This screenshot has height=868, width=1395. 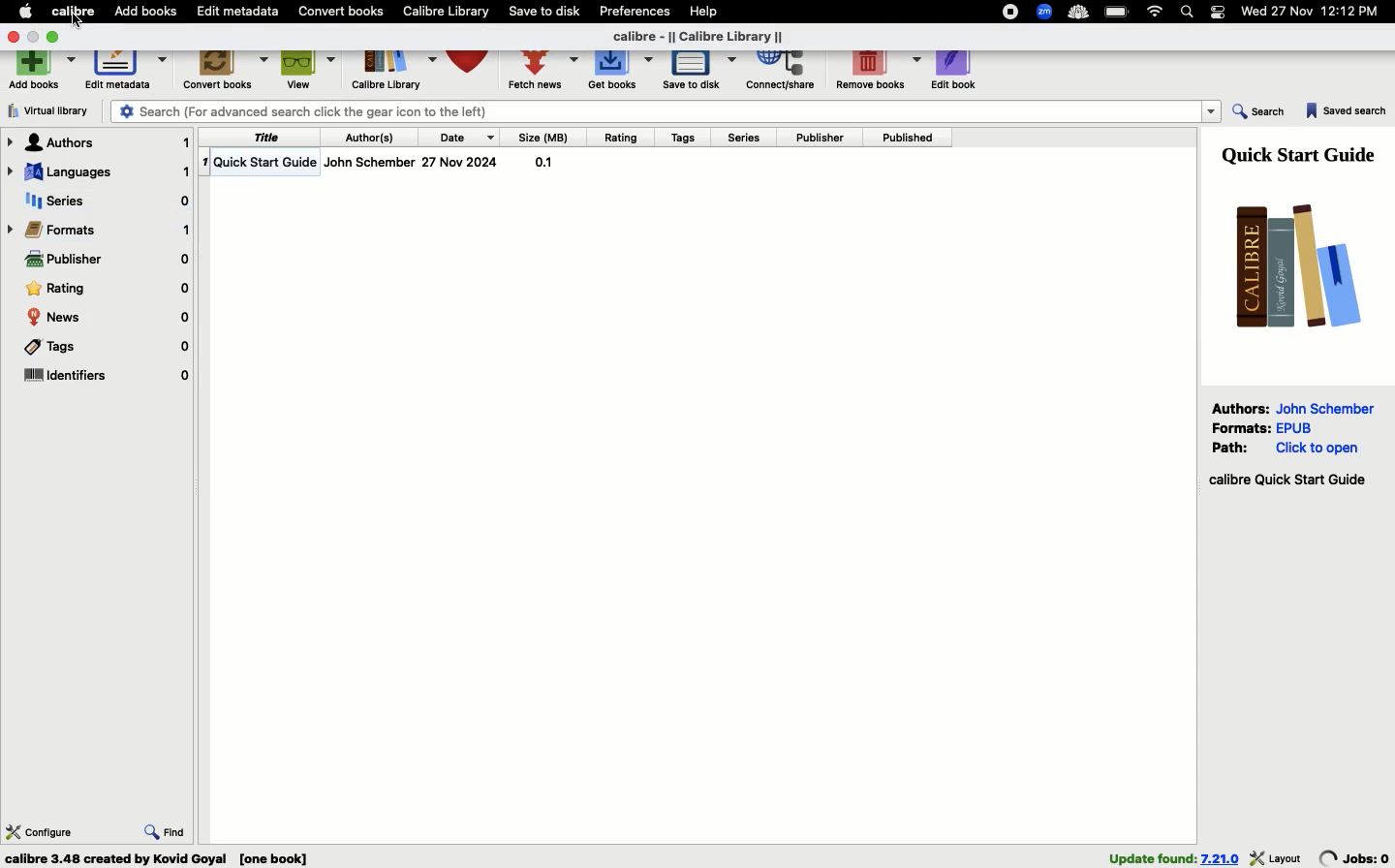 I want to click on Extensions, so click(x=1046, y=14).